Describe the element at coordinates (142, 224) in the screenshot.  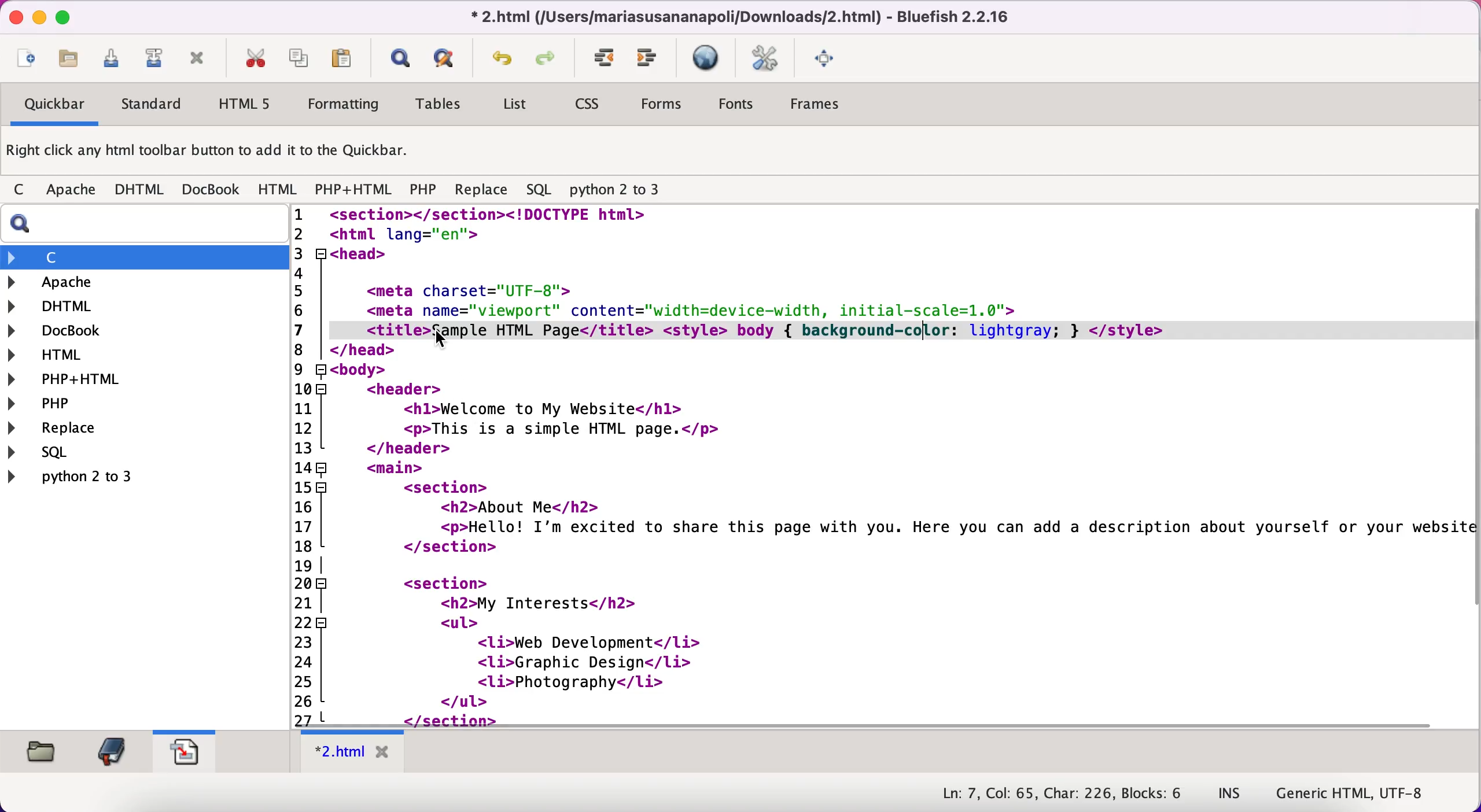
I see `search bar` at that location.